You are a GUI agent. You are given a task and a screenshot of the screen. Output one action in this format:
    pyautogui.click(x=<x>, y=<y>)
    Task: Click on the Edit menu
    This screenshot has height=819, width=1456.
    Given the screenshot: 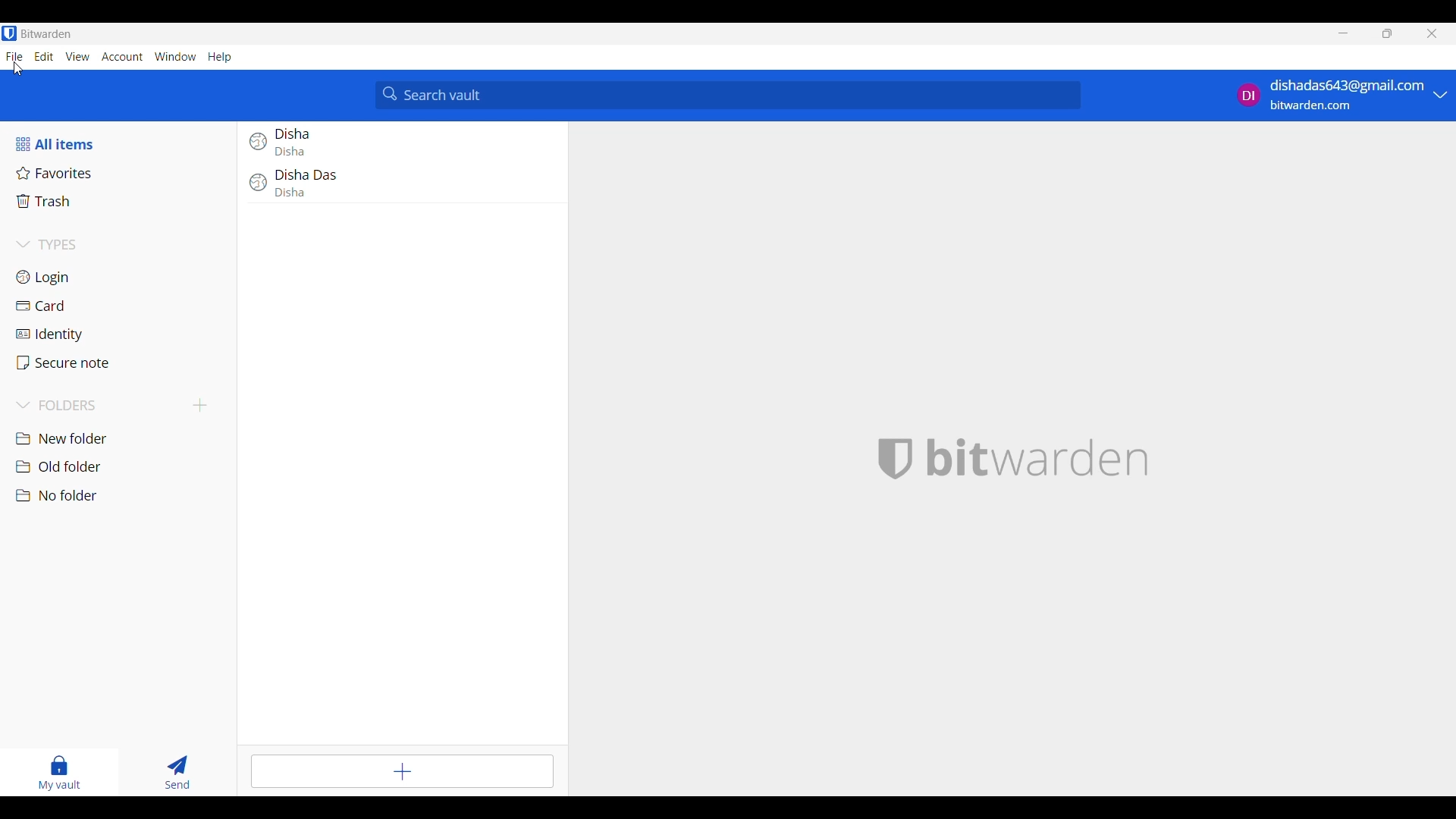 What is the action you would take?
    pyautogui.click(x=45, y=56)
    